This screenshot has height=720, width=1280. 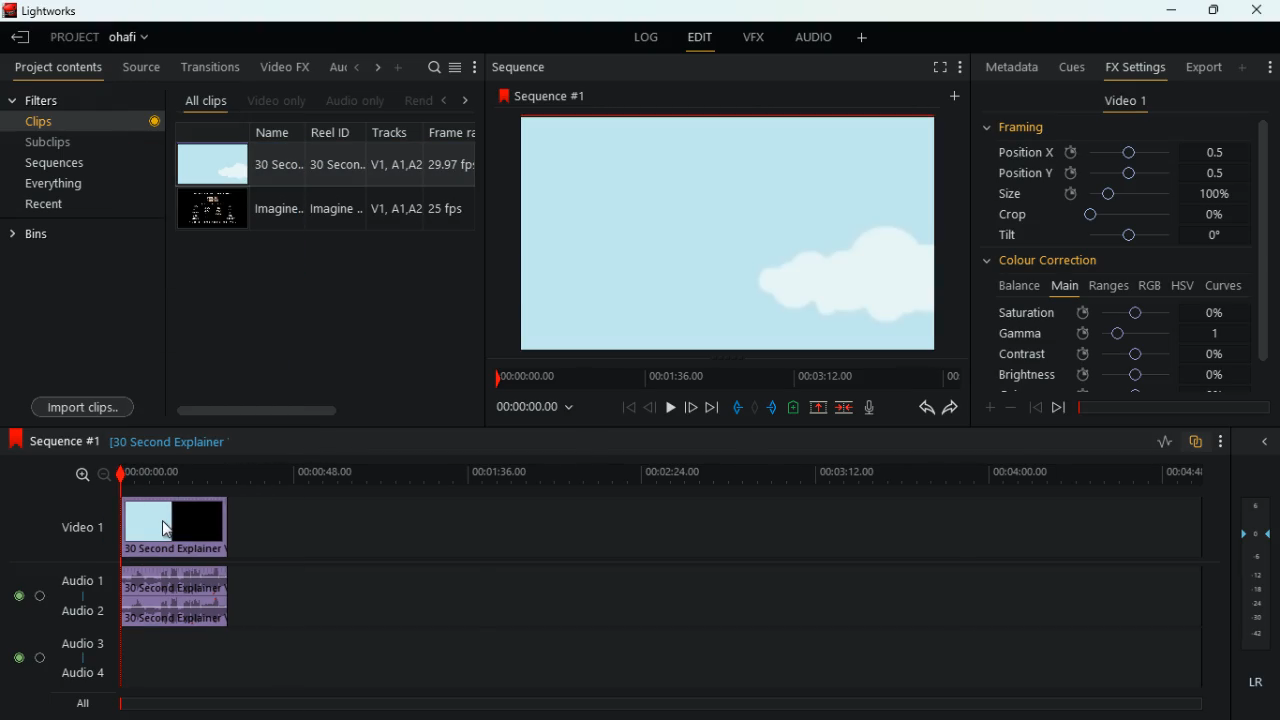 What do you see at coordinates (714, 407) in the screenshot?
I see `end` at bounding box center [714, 407].